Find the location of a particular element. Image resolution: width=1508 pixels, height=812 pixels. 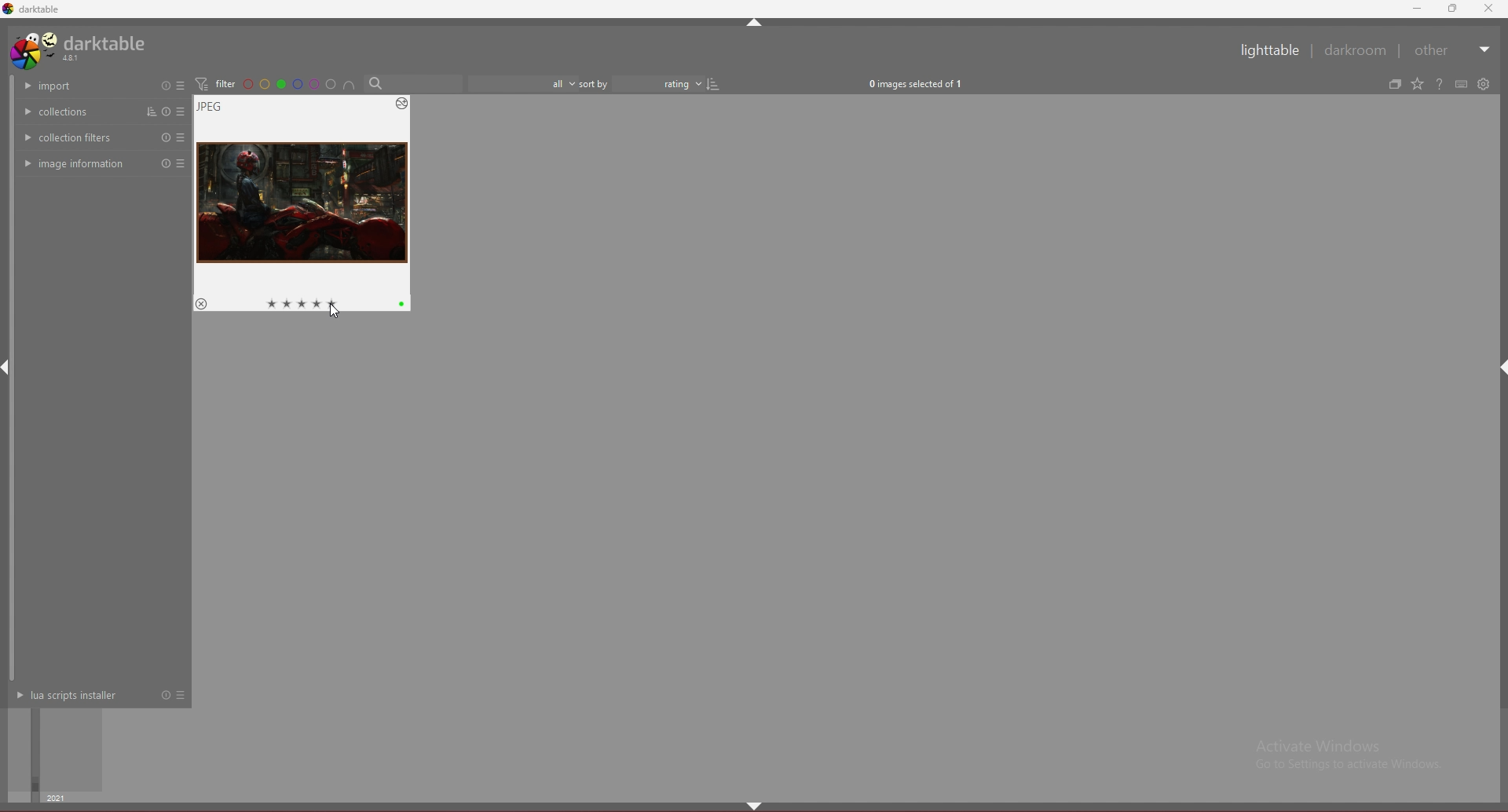

reset is located at coordinates (167, 112).